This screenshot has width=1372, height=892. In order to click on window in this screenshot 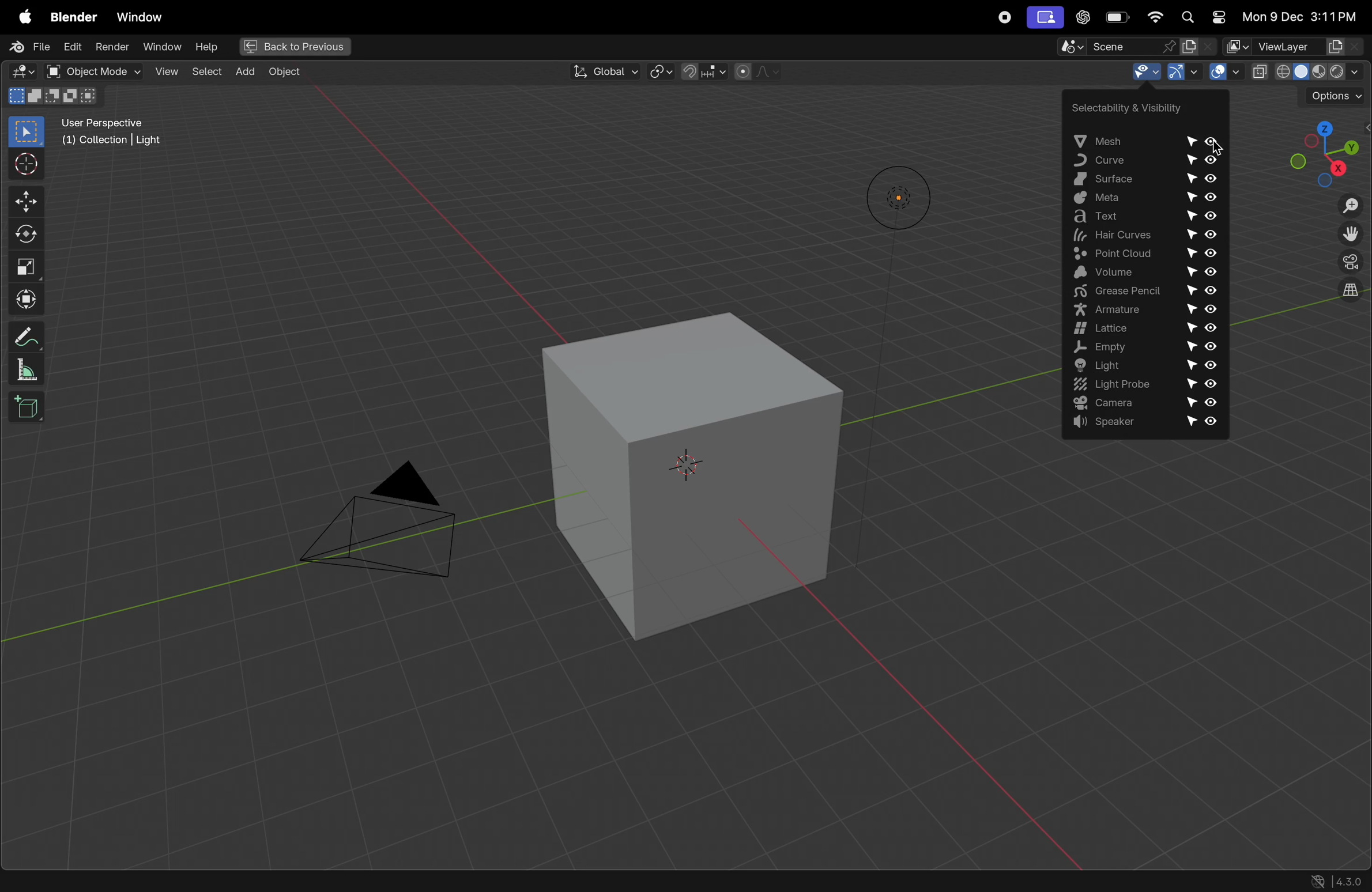, I will do `click(161, 48)`.